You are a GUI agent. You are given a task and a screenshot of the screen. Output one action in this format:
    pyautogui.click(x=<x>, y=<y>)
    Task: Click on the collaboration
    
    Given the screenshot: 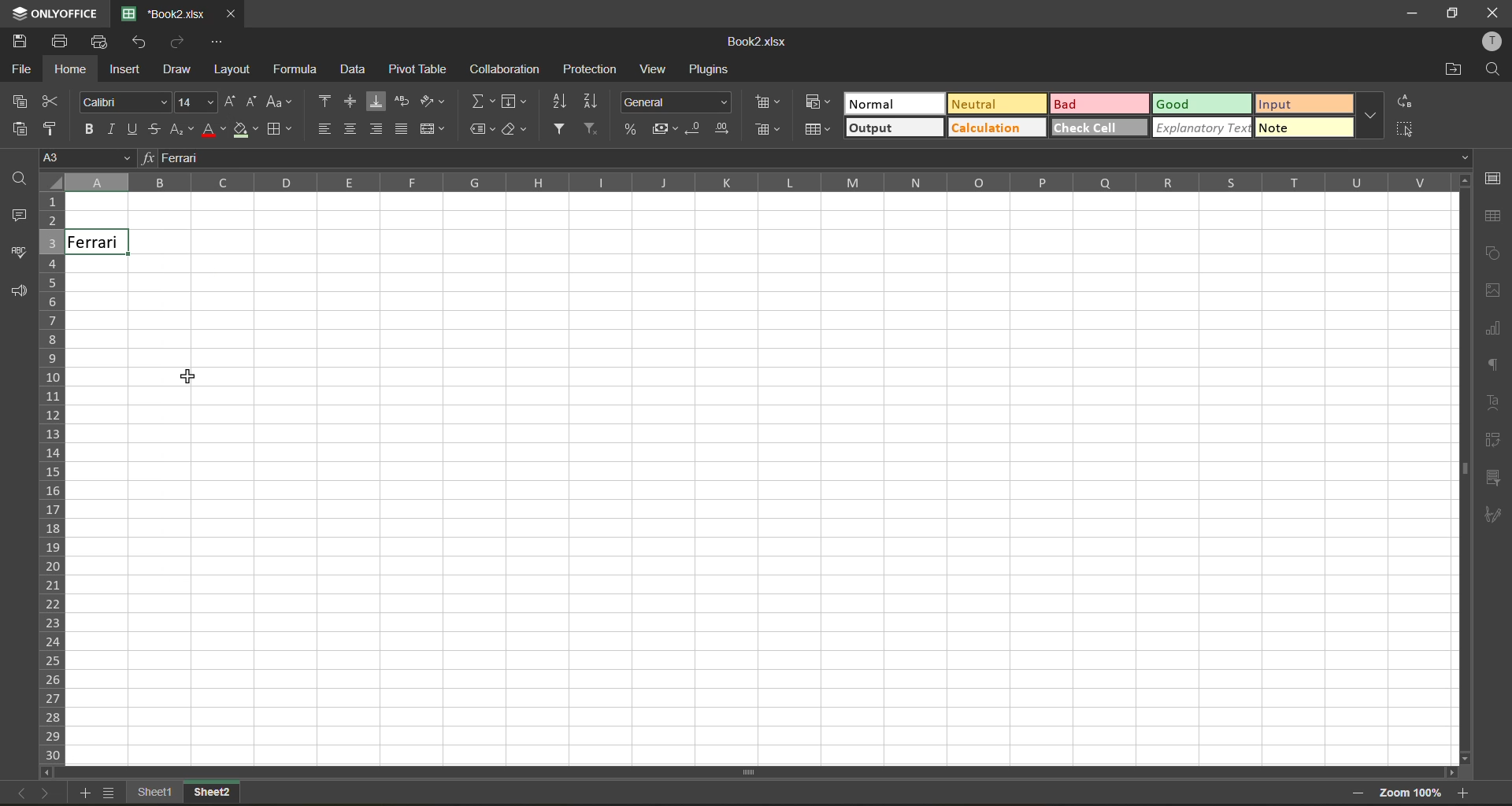 What is the action you would take?
    pyautogui.click(x=503, y=70)
    